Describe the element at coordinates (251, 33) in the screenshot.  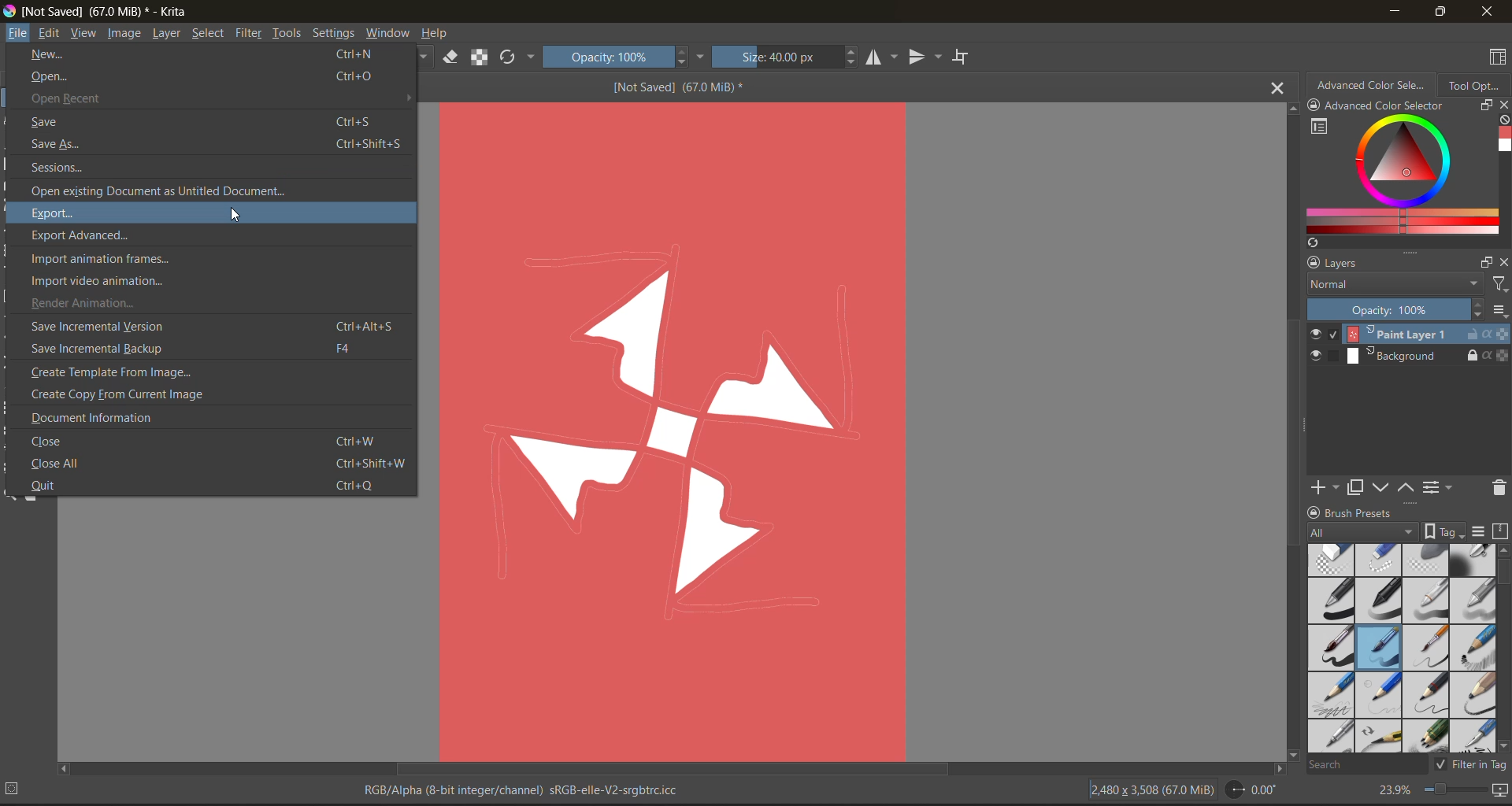
I see `filter` at that location.